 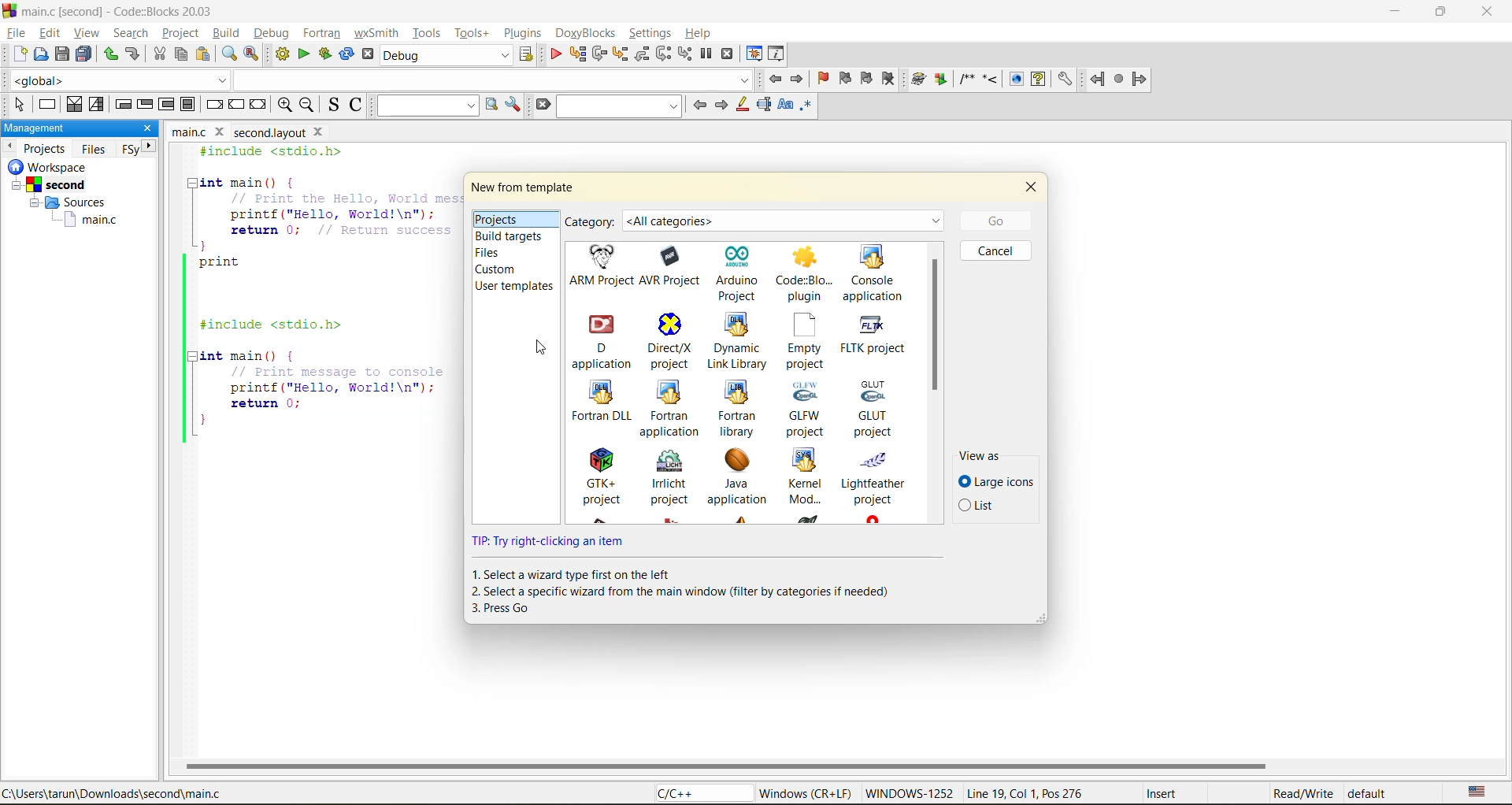 What do you see at coordinates (765, 106) in the screenshot?
I see `selected text` at bounding box center [765, 106].